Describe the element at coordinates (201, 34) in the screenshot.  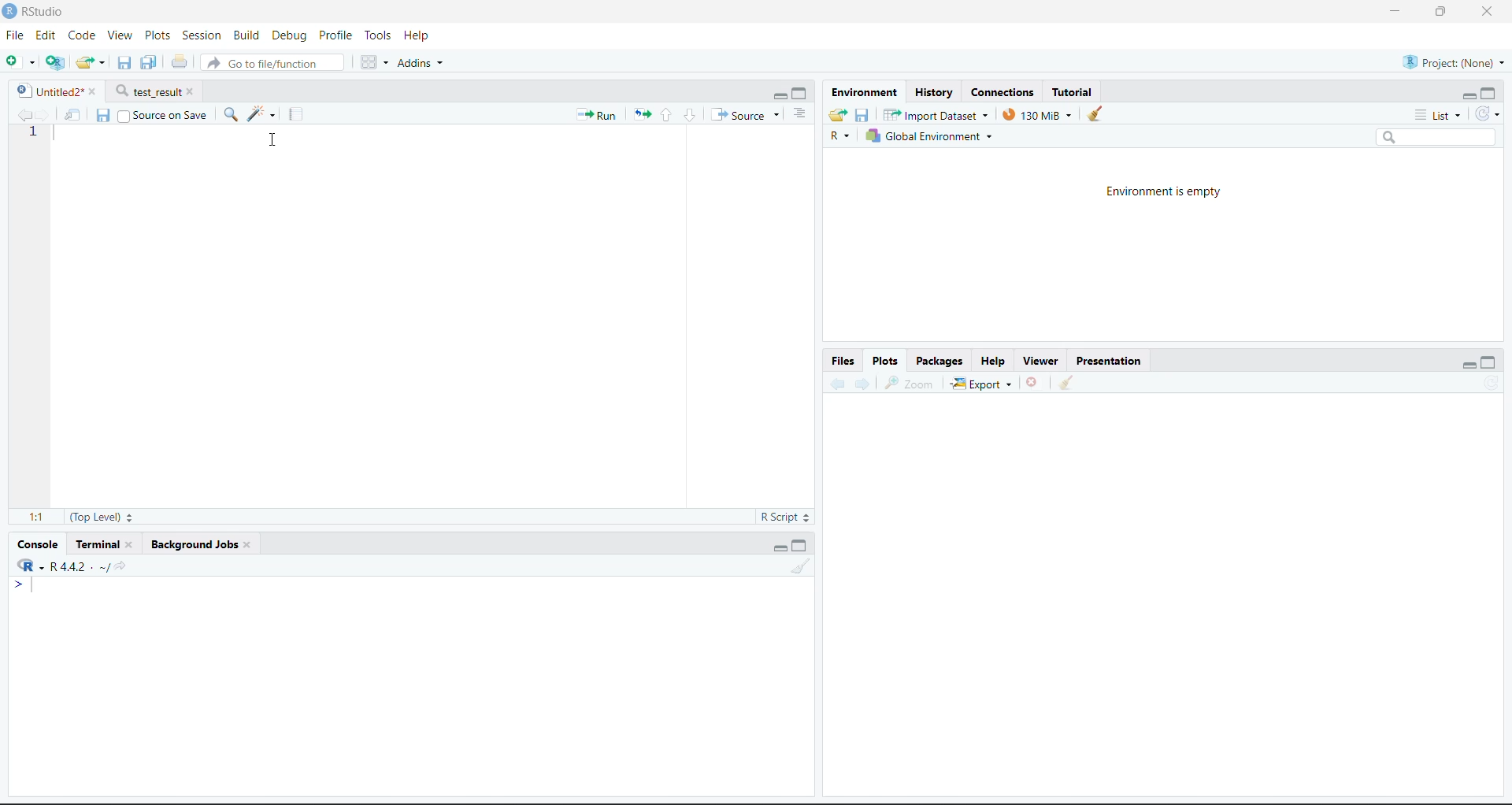
I see `Session` at that location.